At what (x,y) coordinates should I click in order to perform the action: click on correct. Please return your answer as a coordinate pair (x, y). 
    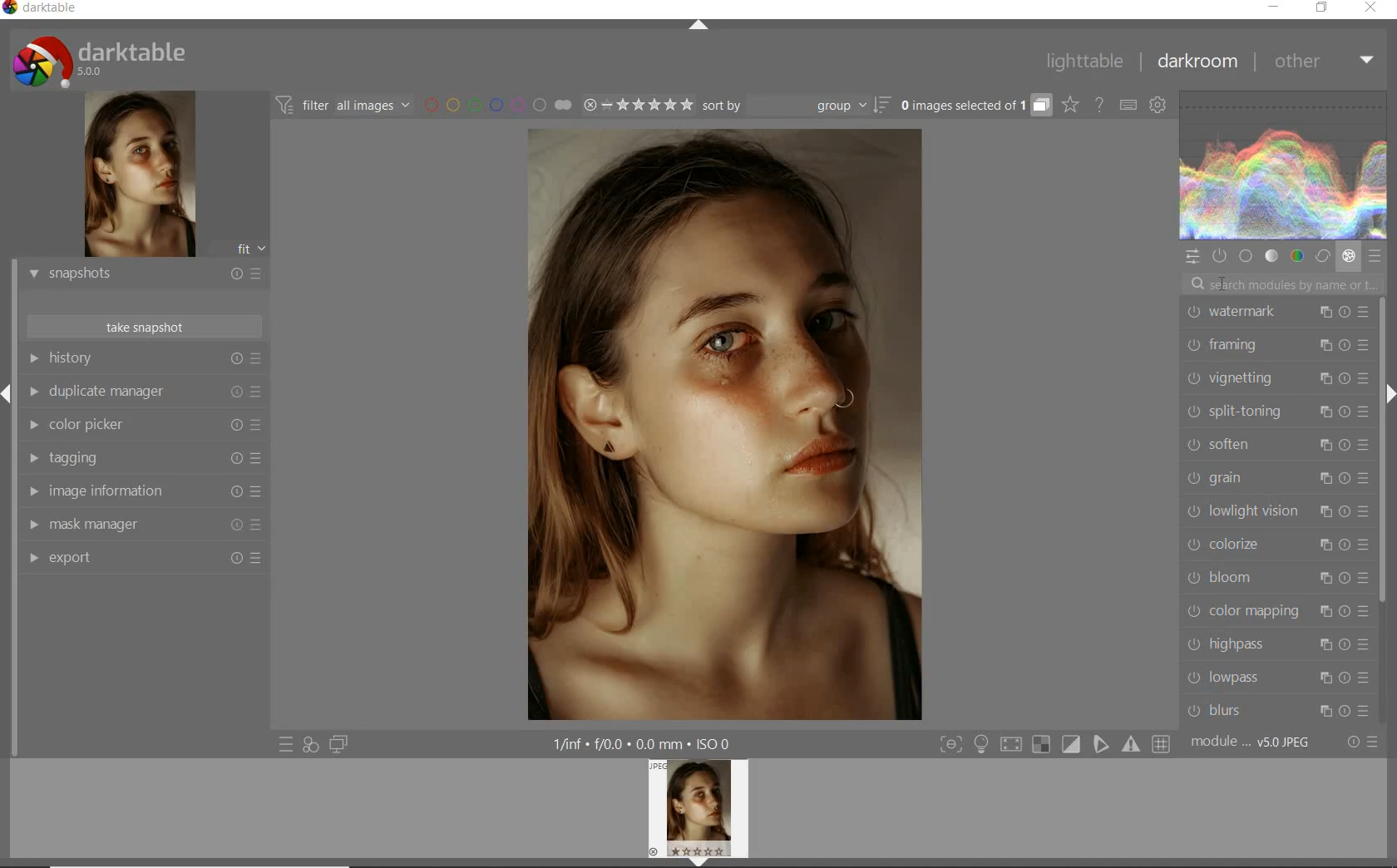
    Looking at the image, I should click on (1324, 254).